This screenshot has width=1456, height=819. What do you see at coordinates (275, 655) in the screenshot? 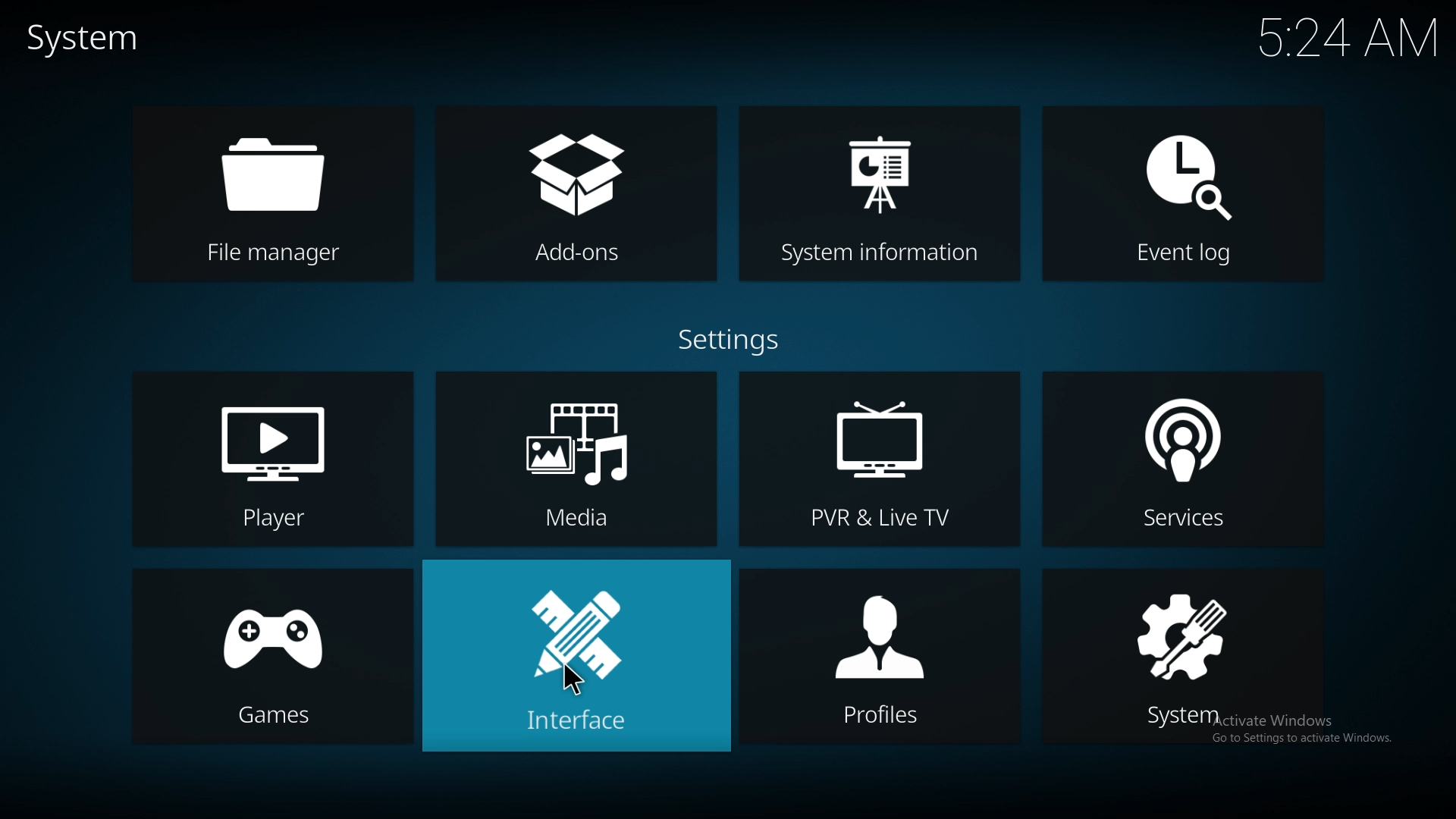
I see `games` at bounding box center [275, 655].